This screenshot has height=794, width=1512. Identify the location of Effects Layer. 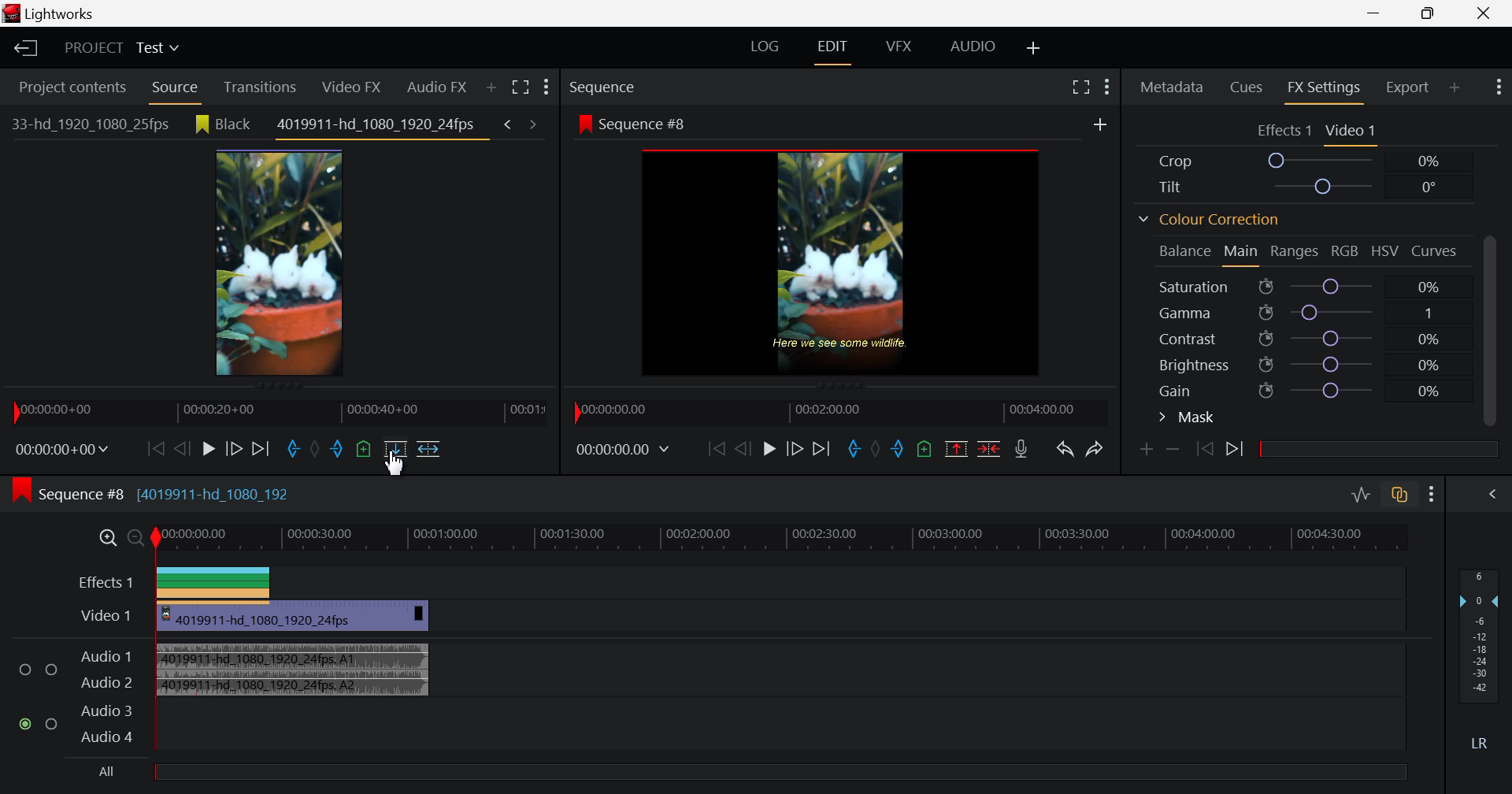
(732, 581).